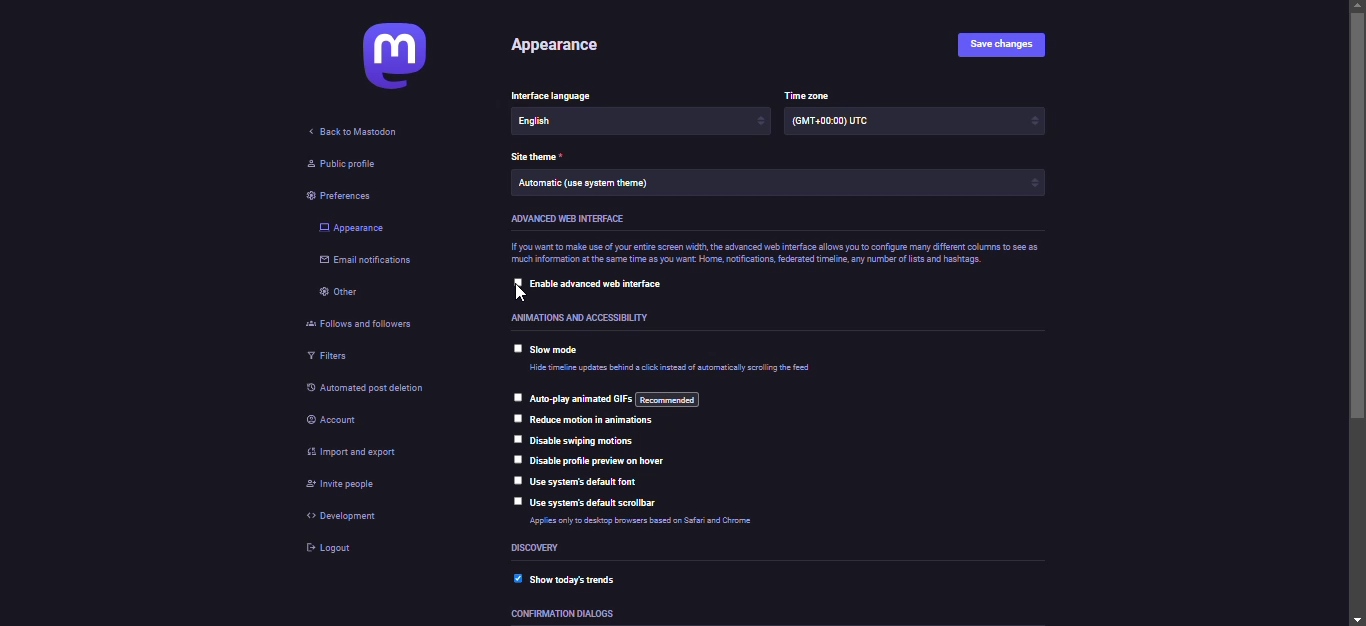 The image size is (1366, 626). Describe the element at coordinates (396, 59) in the screenshot. I see `mastodon` at that location.